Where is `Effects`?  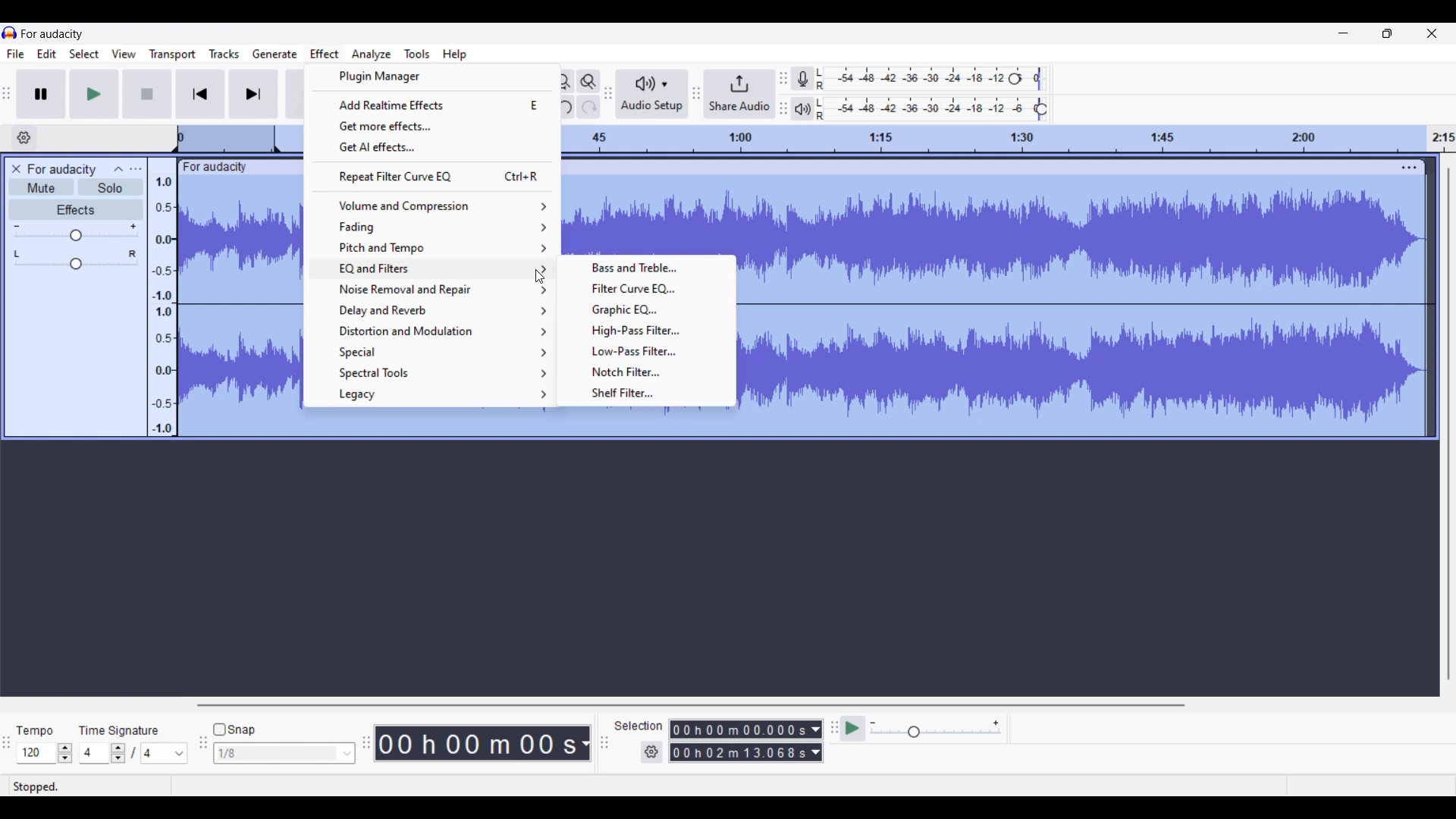 Effects is located at coordinates (76, 209).